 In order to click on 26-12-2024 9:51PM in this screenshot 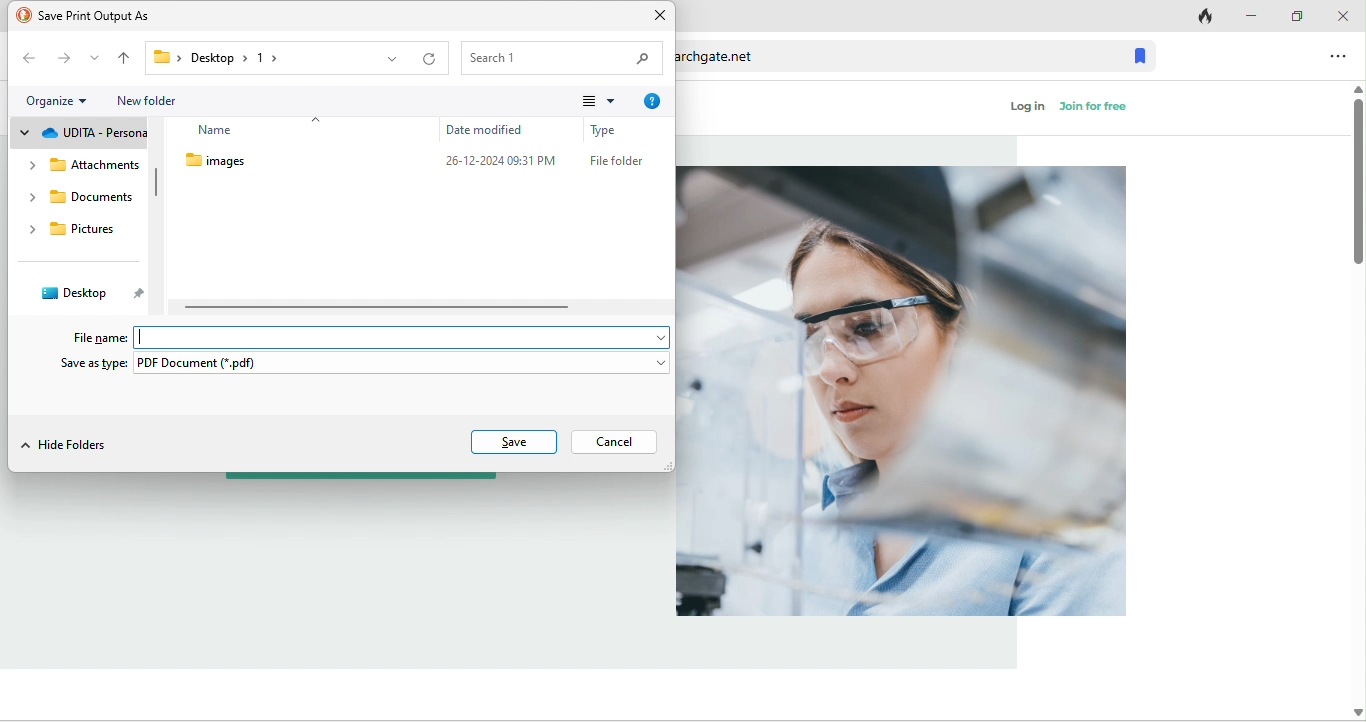, I will do `click(503, 163)`.